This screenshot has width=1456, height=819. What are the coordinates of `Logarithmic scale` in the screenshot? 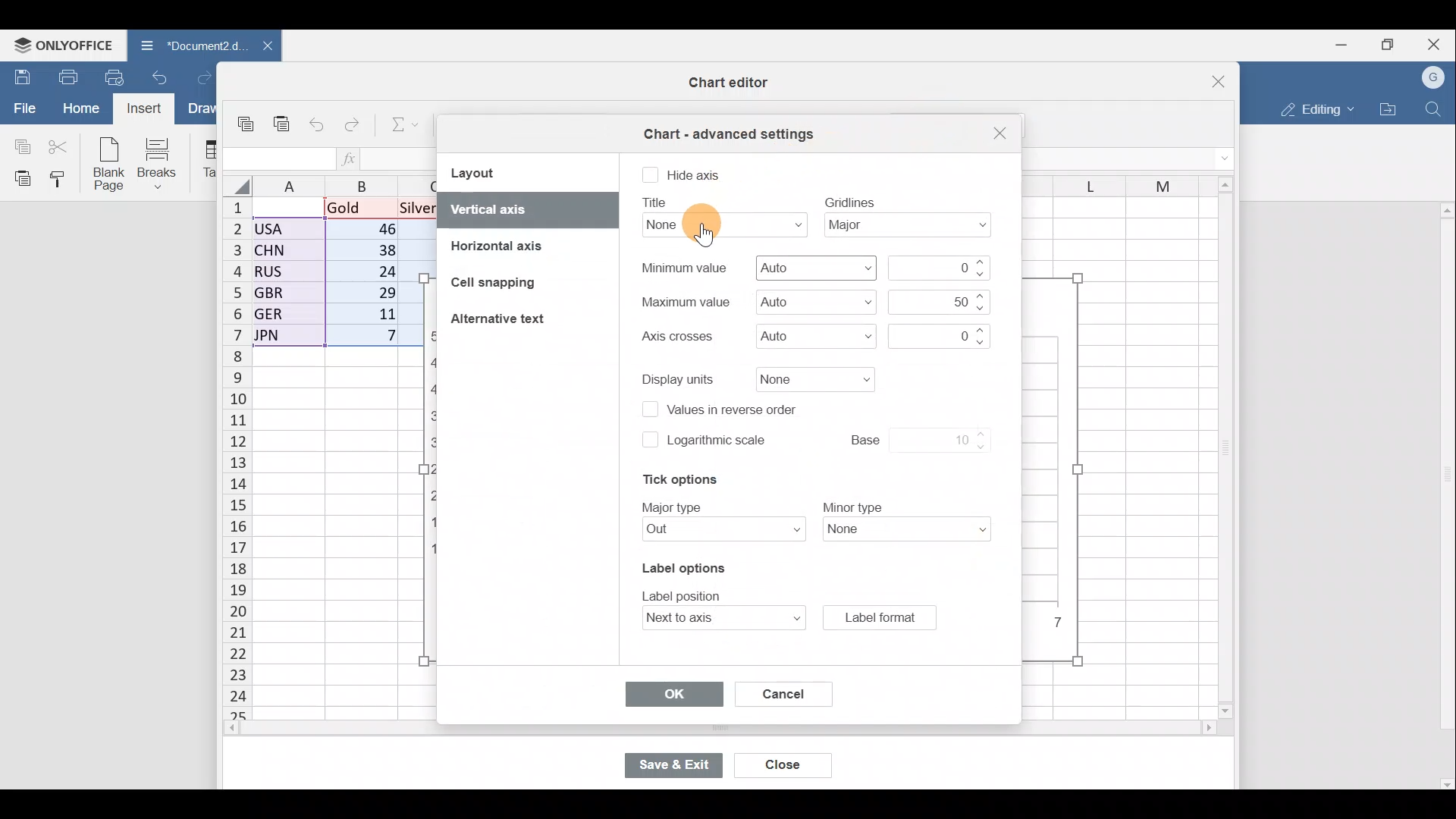 It's located at (717, 444).